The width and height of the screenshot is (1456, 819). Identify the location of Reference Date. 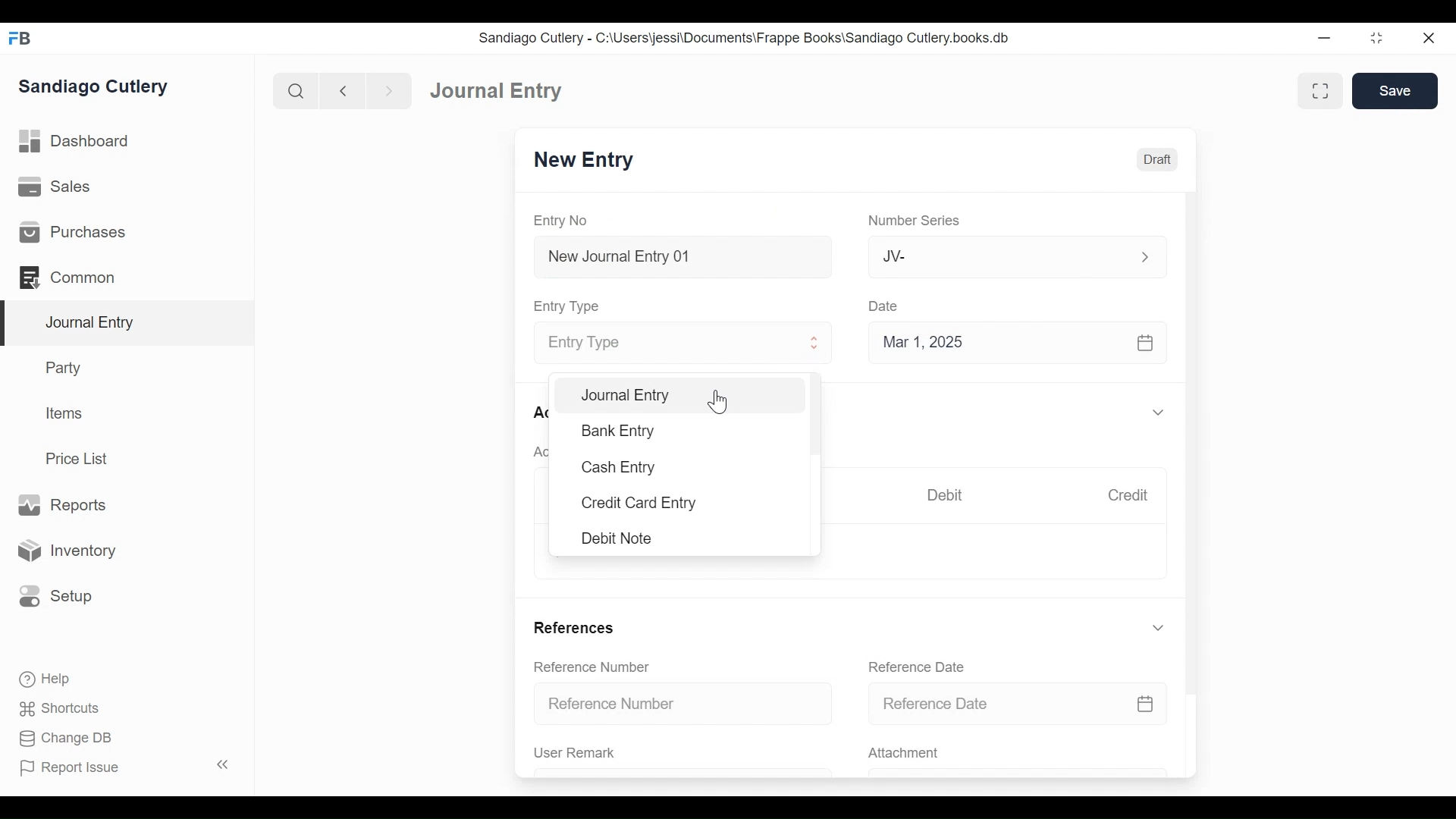
(1018, 702).